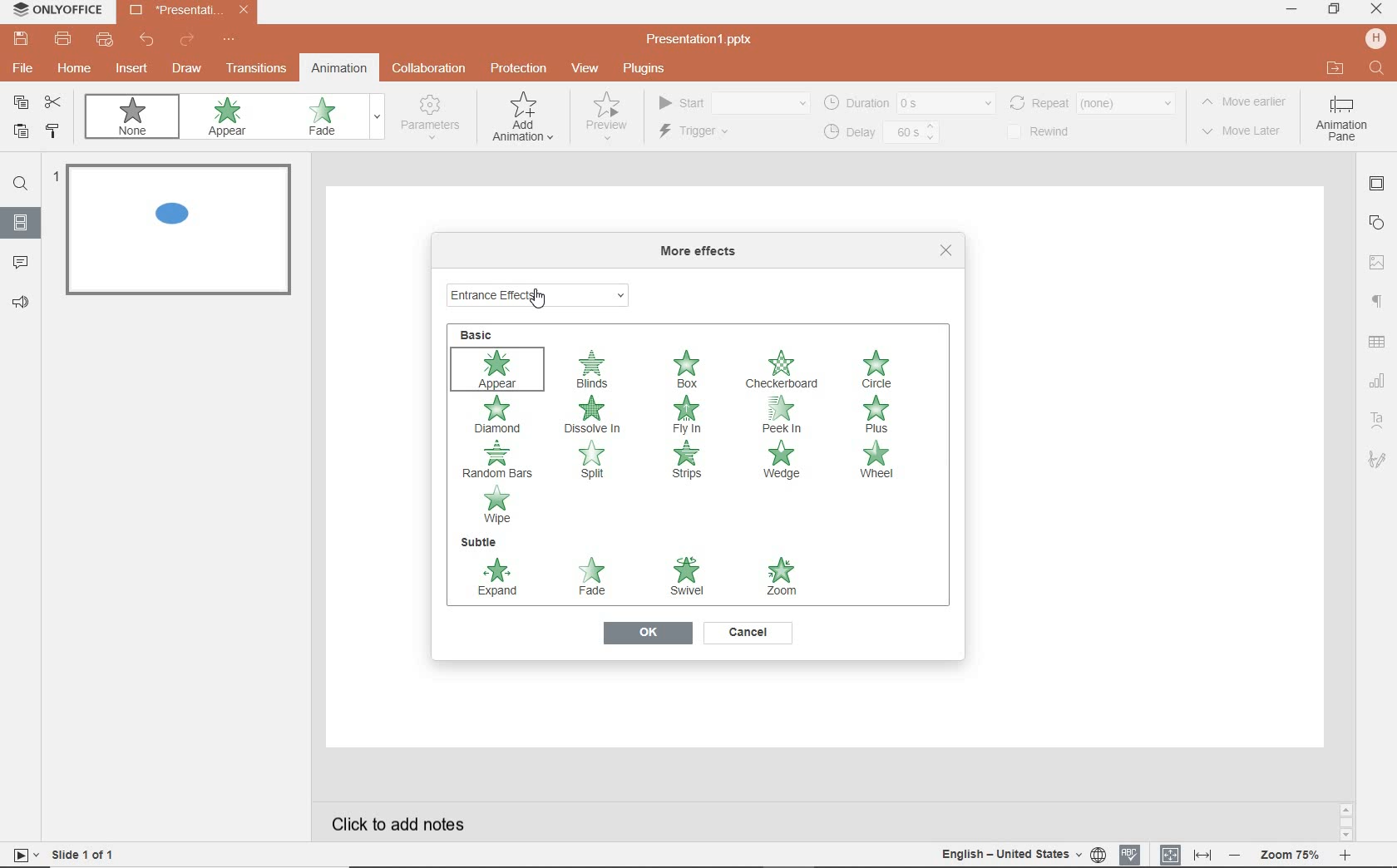 The image size is (1397, 868). Describe the element at coordinates (881, 415) in the screenshot. I see `PLUS` at that location.